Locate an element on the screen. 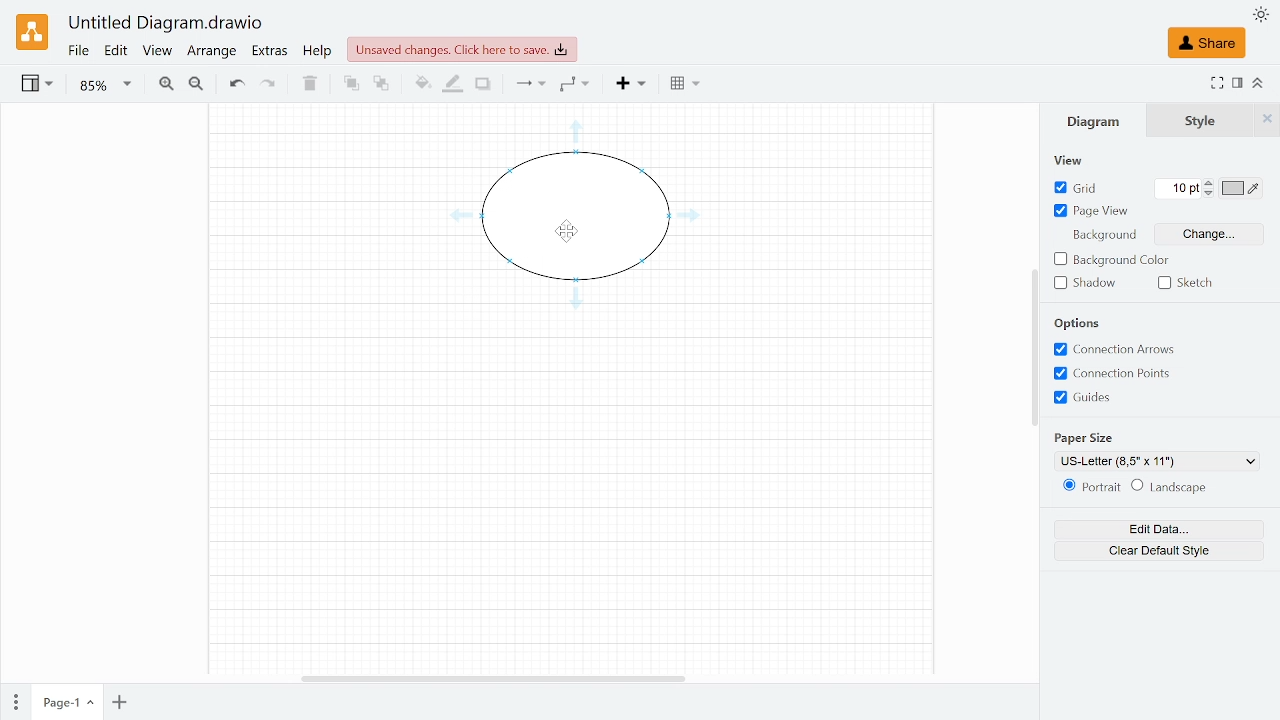 The image size is (1280, 720). Draw.io logo is located at coordinates (33, 31).